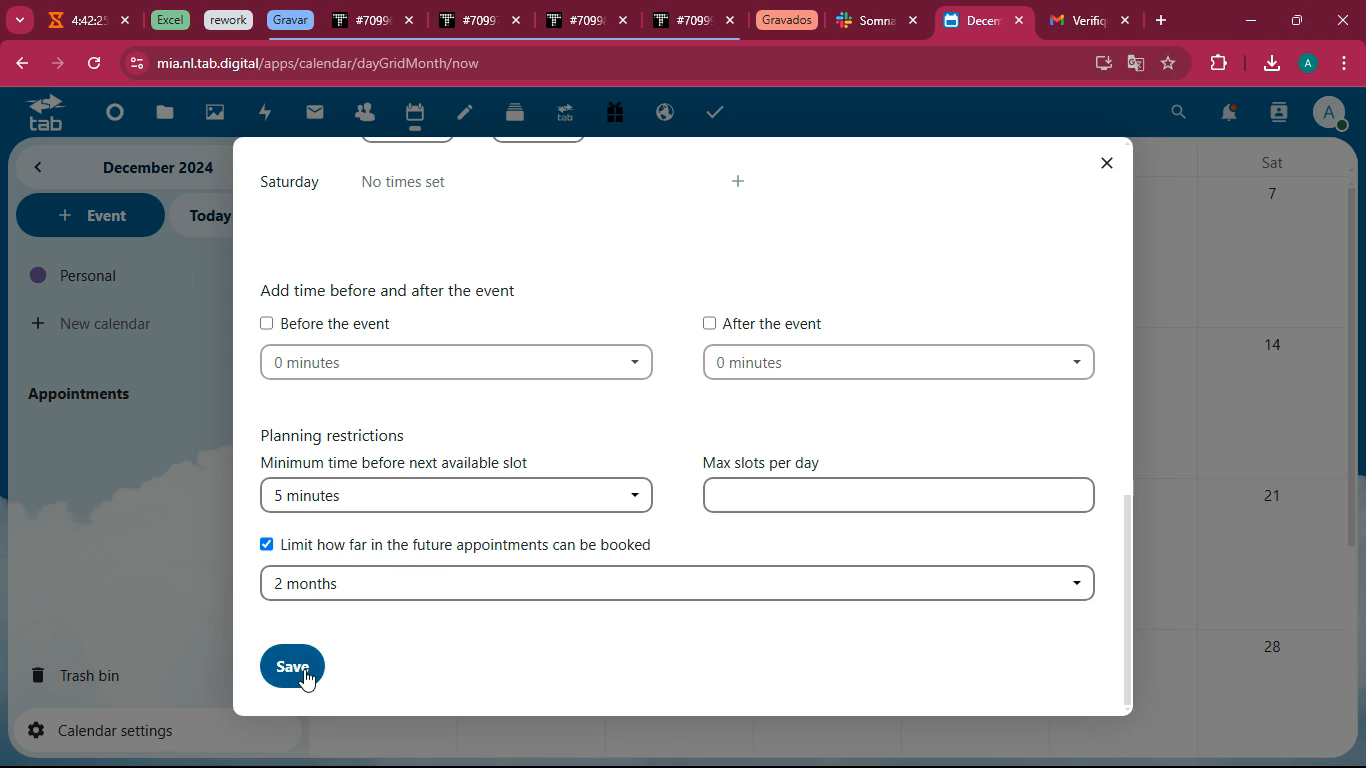 The width and height of the screenshot is (1366, 768). What do you see at coordinates (421, 185) in the screenshot?
I see `no times set` at bounding box center [421, 185].